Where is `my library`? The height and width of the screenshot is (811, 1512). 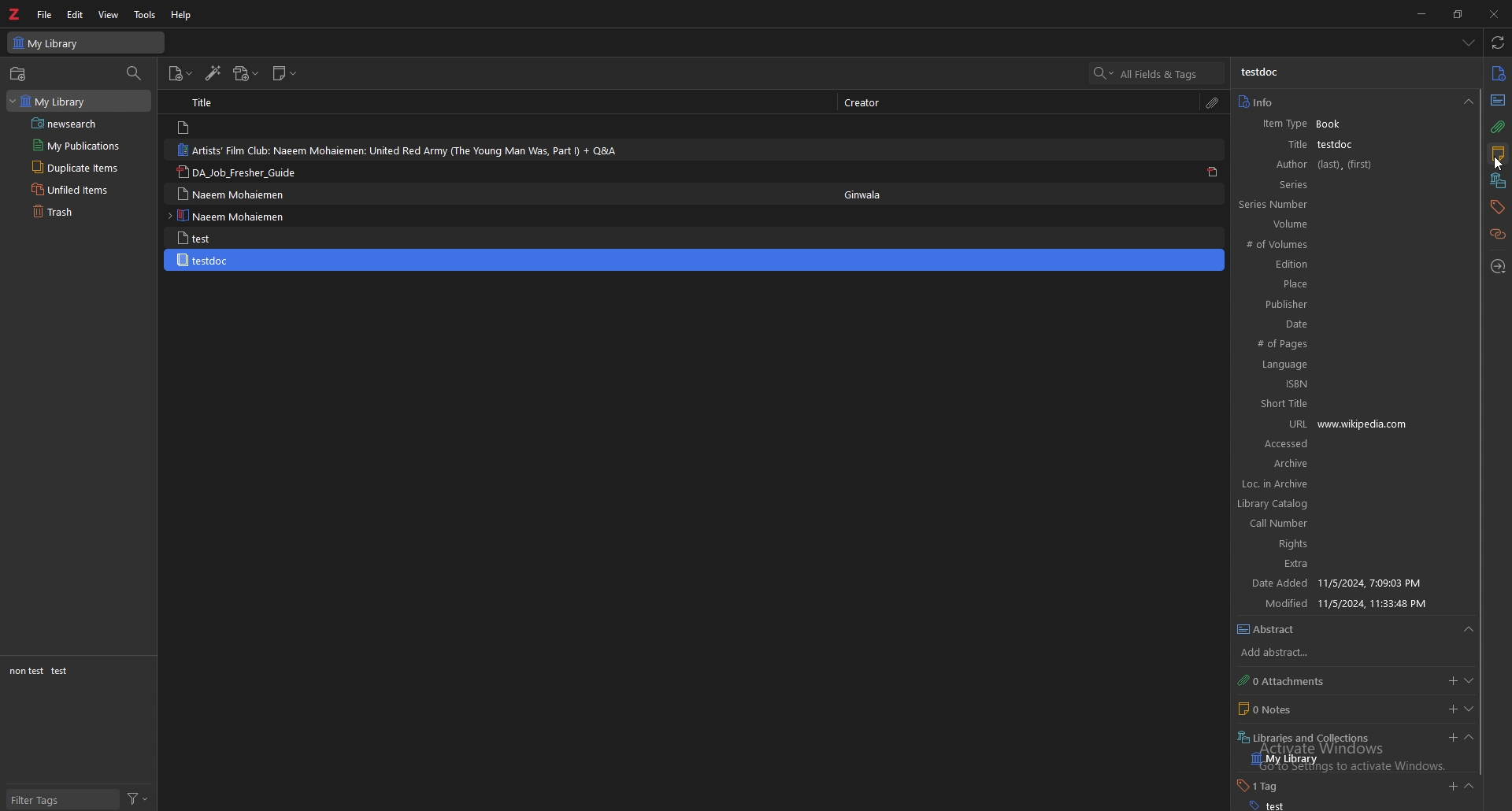
my library is located at coordinates (86, 42).